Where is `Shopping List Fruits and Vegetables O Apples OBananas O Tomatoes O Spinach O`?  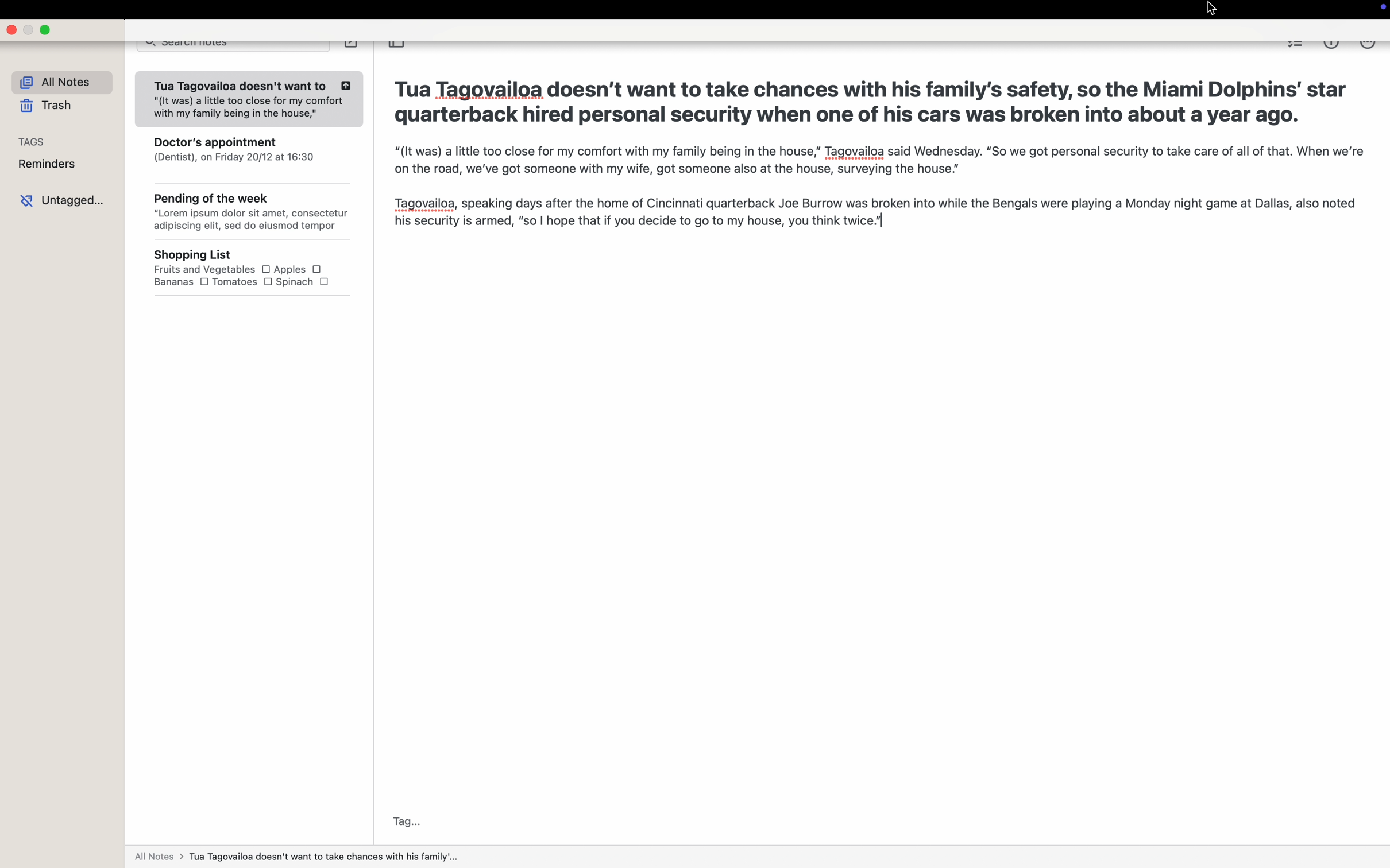 Shopping List Fruits and Vegetables O Apples OBananas O Tomatoes O Spinach O is located at coordinates (245, 274).